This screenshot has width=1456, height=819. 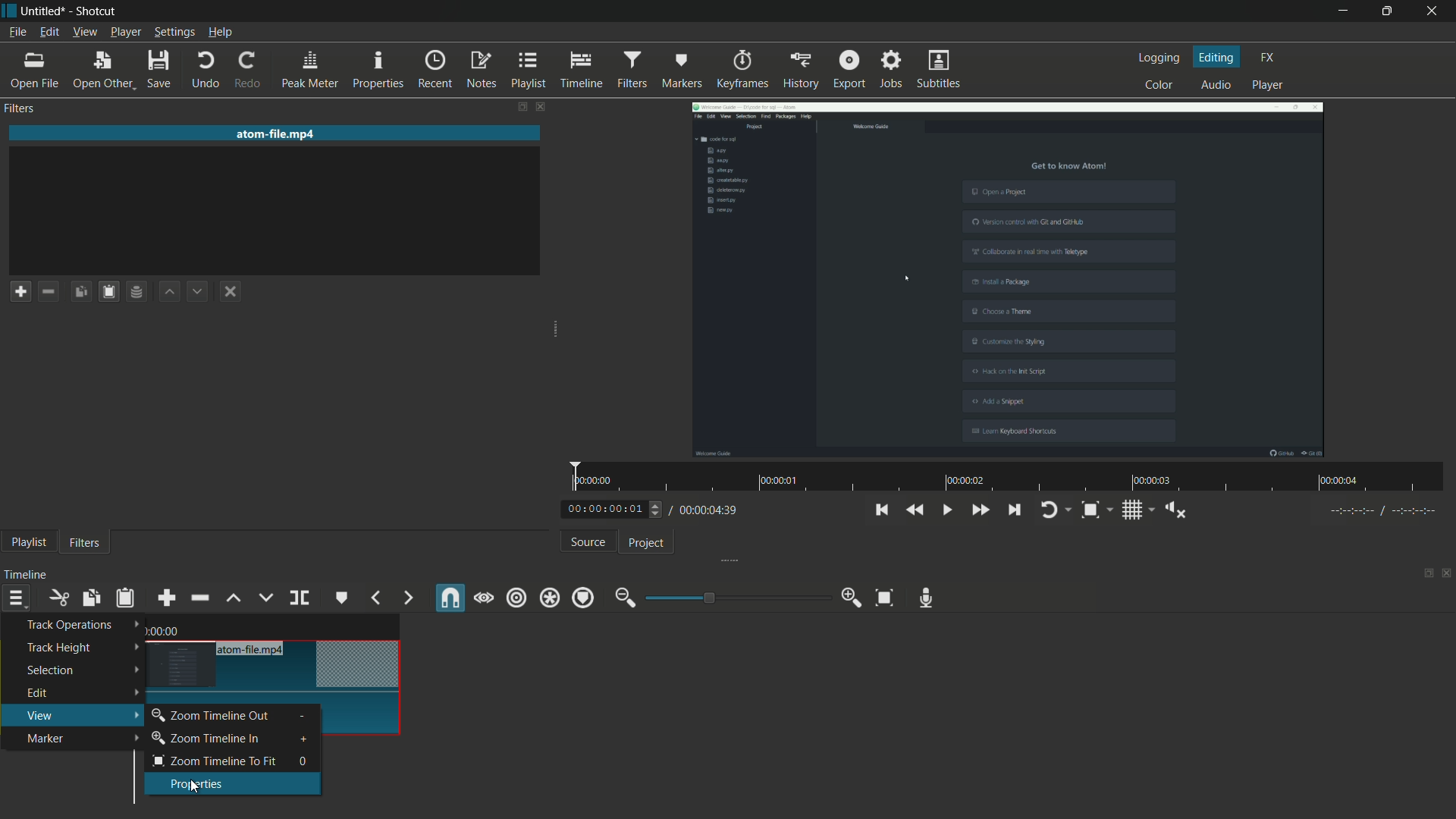 What do you see at coordinates (21, 108) in the screenshot?
I see `filters` at bounding box center [21, 108].